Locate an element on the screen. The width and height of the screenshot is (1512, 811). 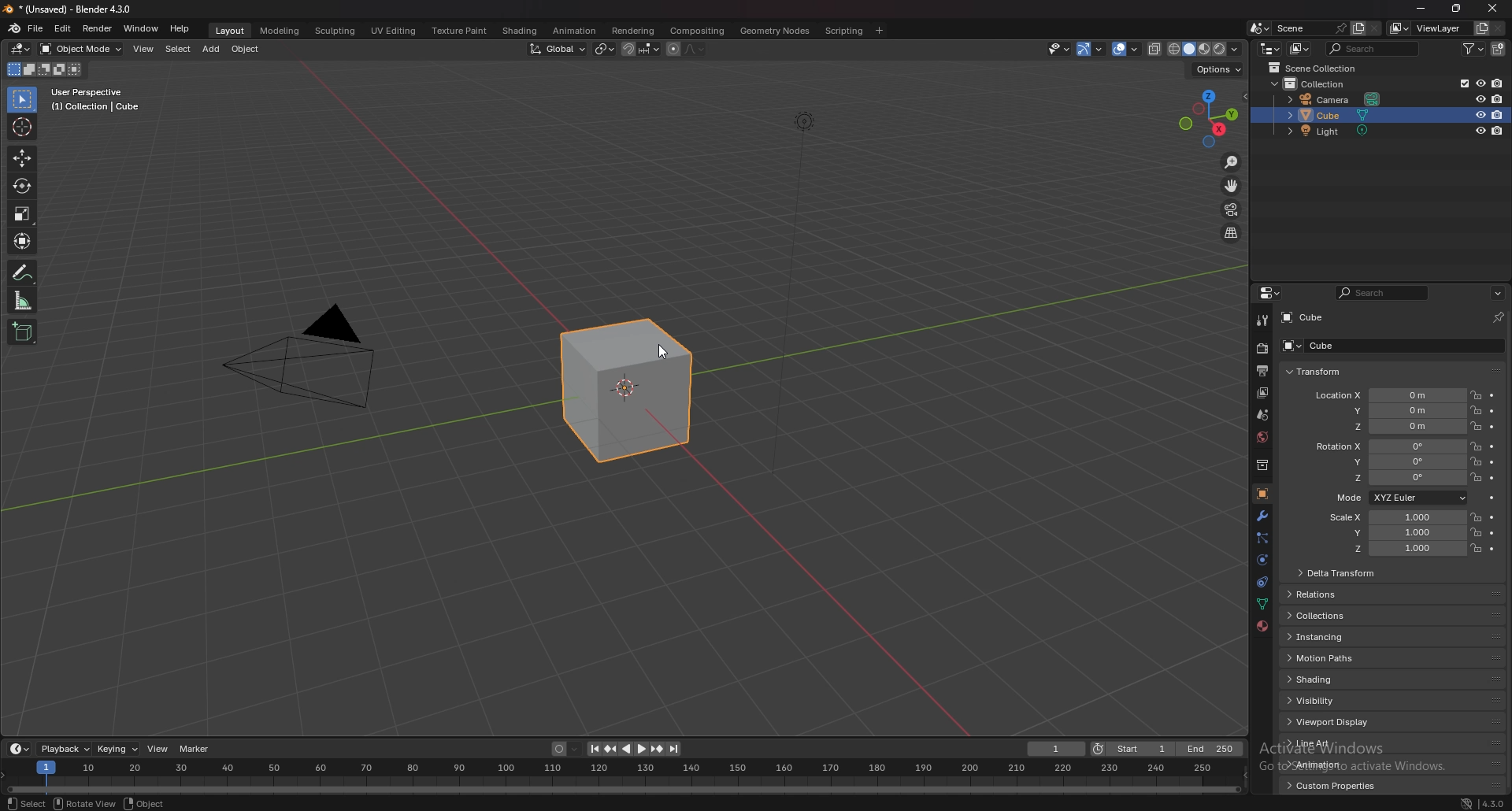
close is located at coordinates (1492, 9).